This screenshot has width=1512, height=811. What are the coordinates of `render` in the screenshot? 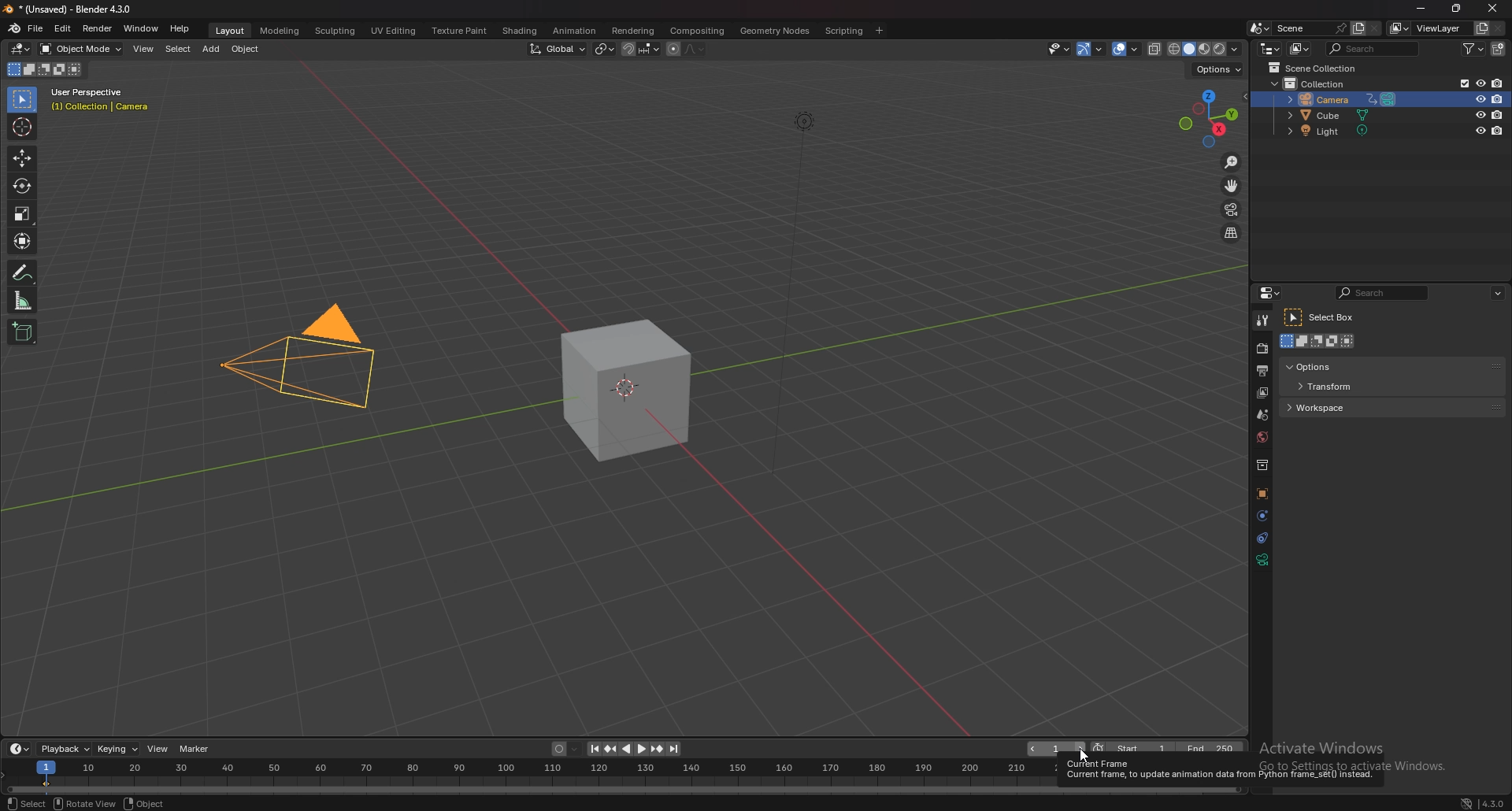 It's located at (1261, 350).